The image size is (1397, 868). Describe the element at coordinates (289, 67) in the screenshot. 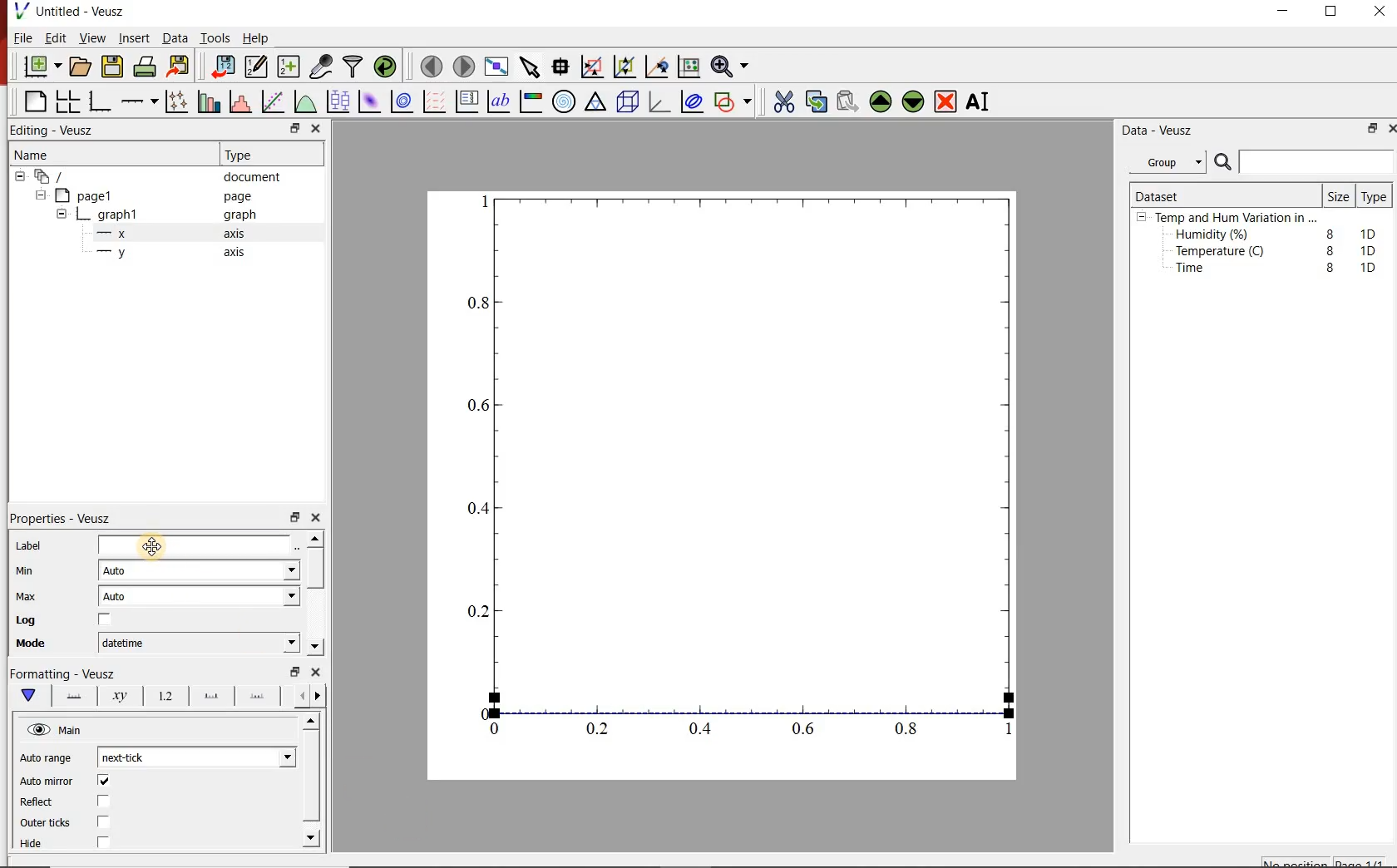

I see `create new datasets using ranges, parametrically or as functions of existing datasets` at that location.